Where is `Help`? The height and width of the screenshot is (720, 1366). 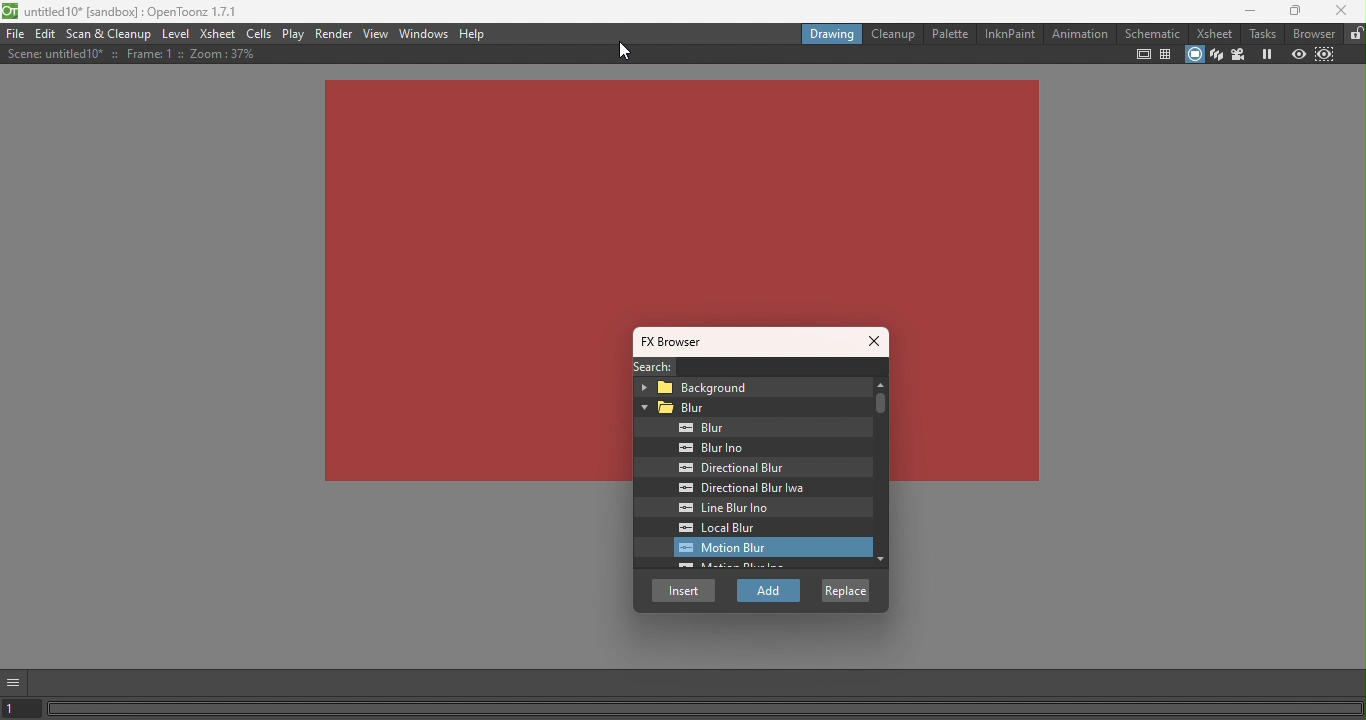
Help is located at coordinates (472, 34).